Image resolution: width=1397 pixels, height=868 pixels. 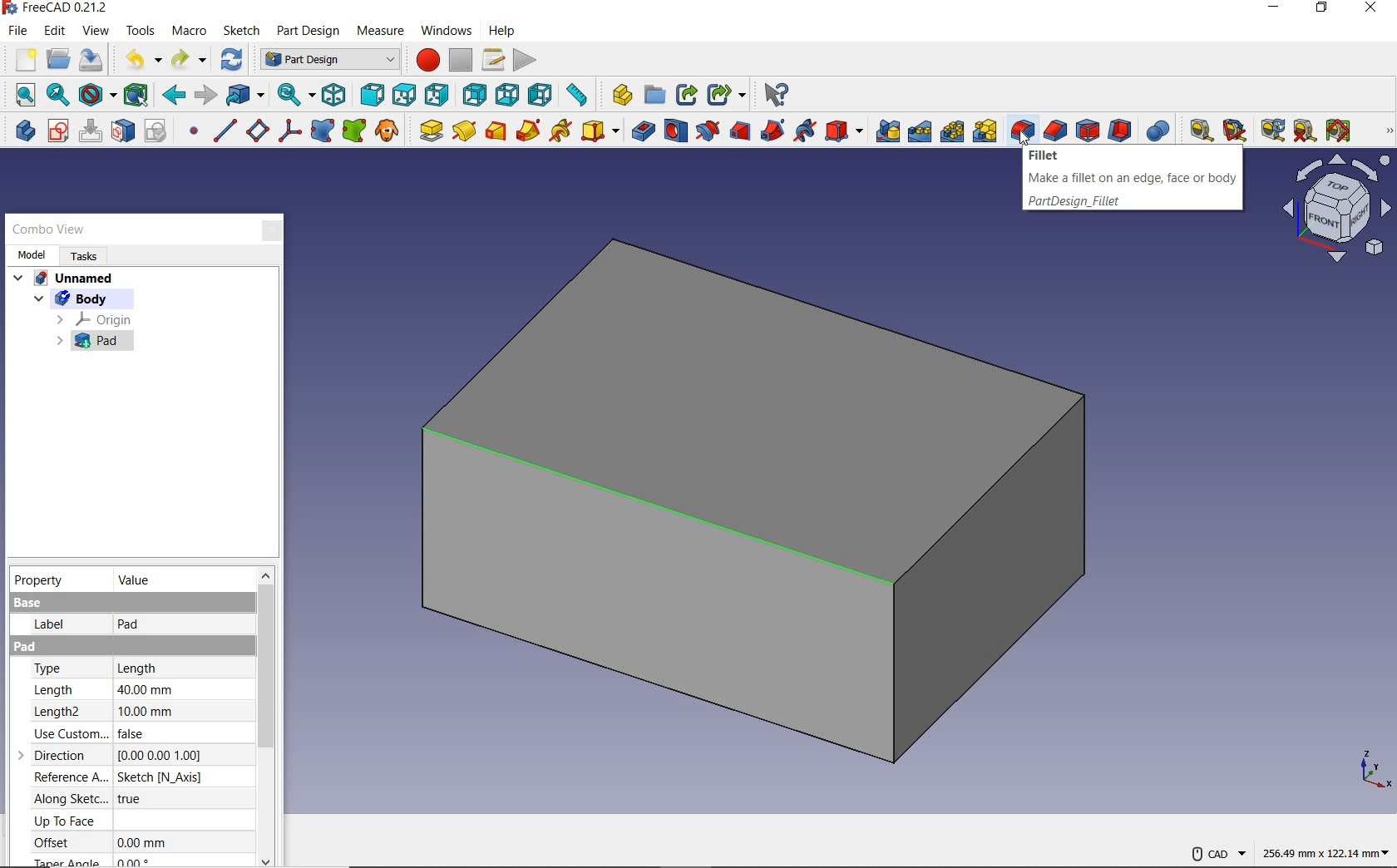 What do you see at coordinates (136, 668) in the screenshot?
I see `Length` at bounding box center [136, 668].